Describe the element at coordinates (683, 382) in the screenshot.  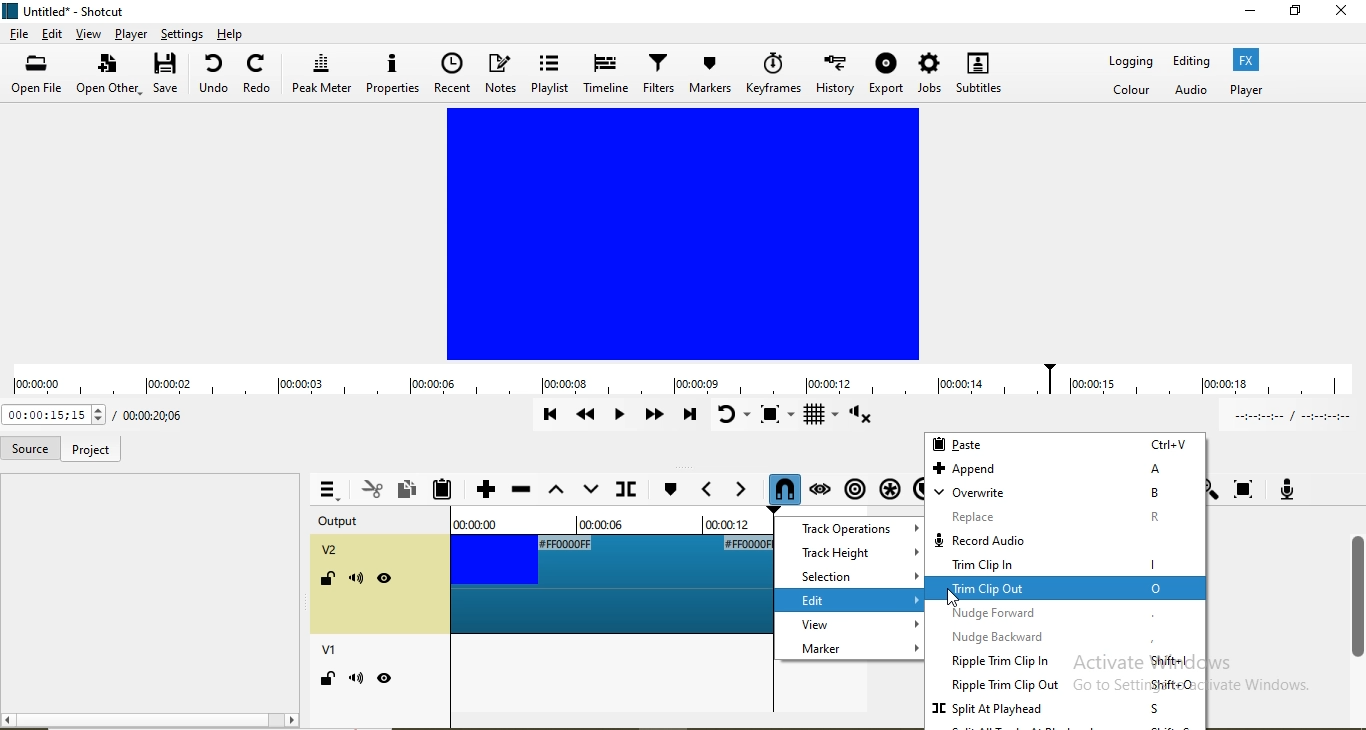
I see `timeline` at that location.